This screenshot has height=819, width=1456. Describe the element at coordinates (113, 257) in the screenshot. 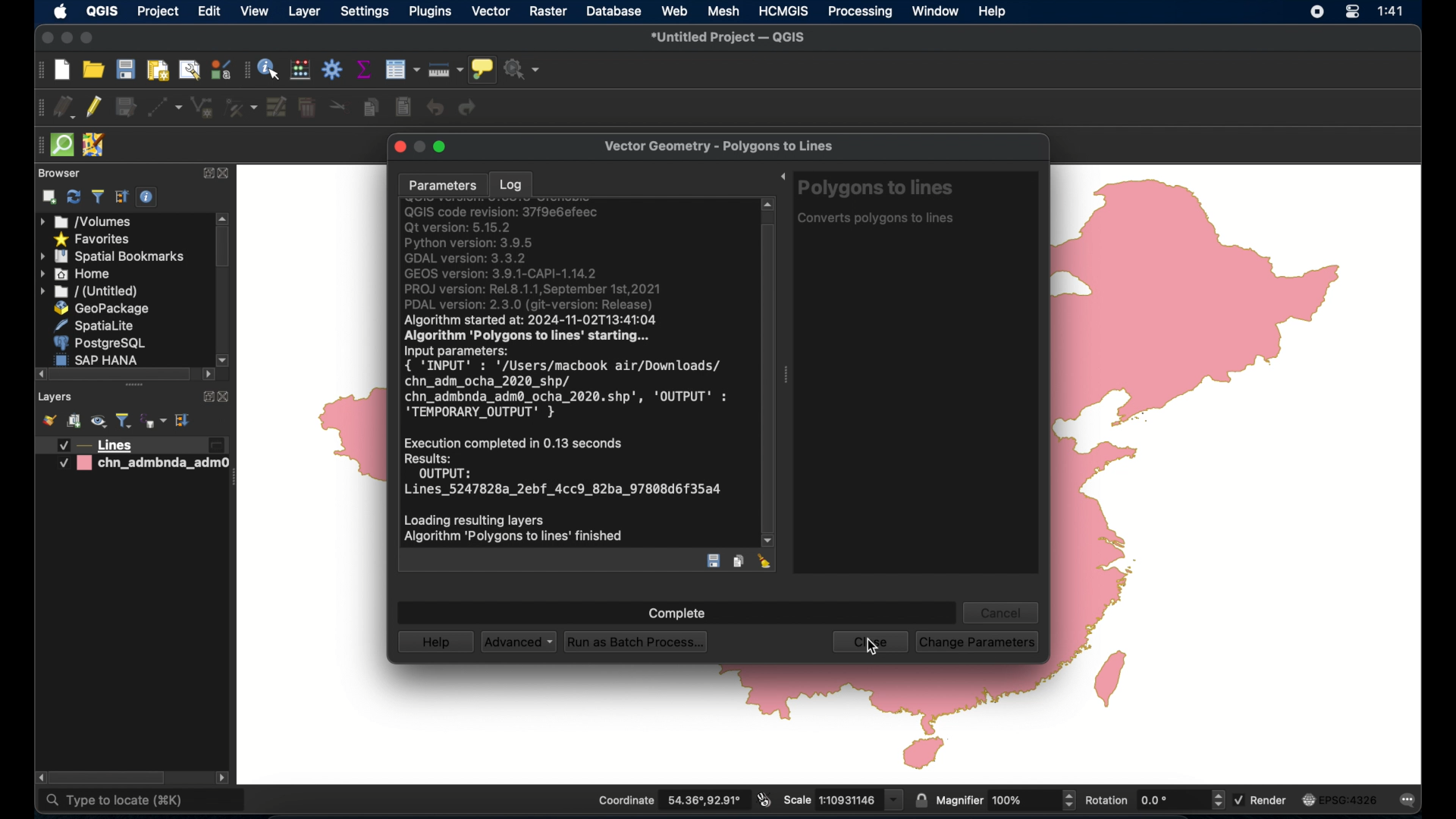

I see `spatial bookmarks` at that location.